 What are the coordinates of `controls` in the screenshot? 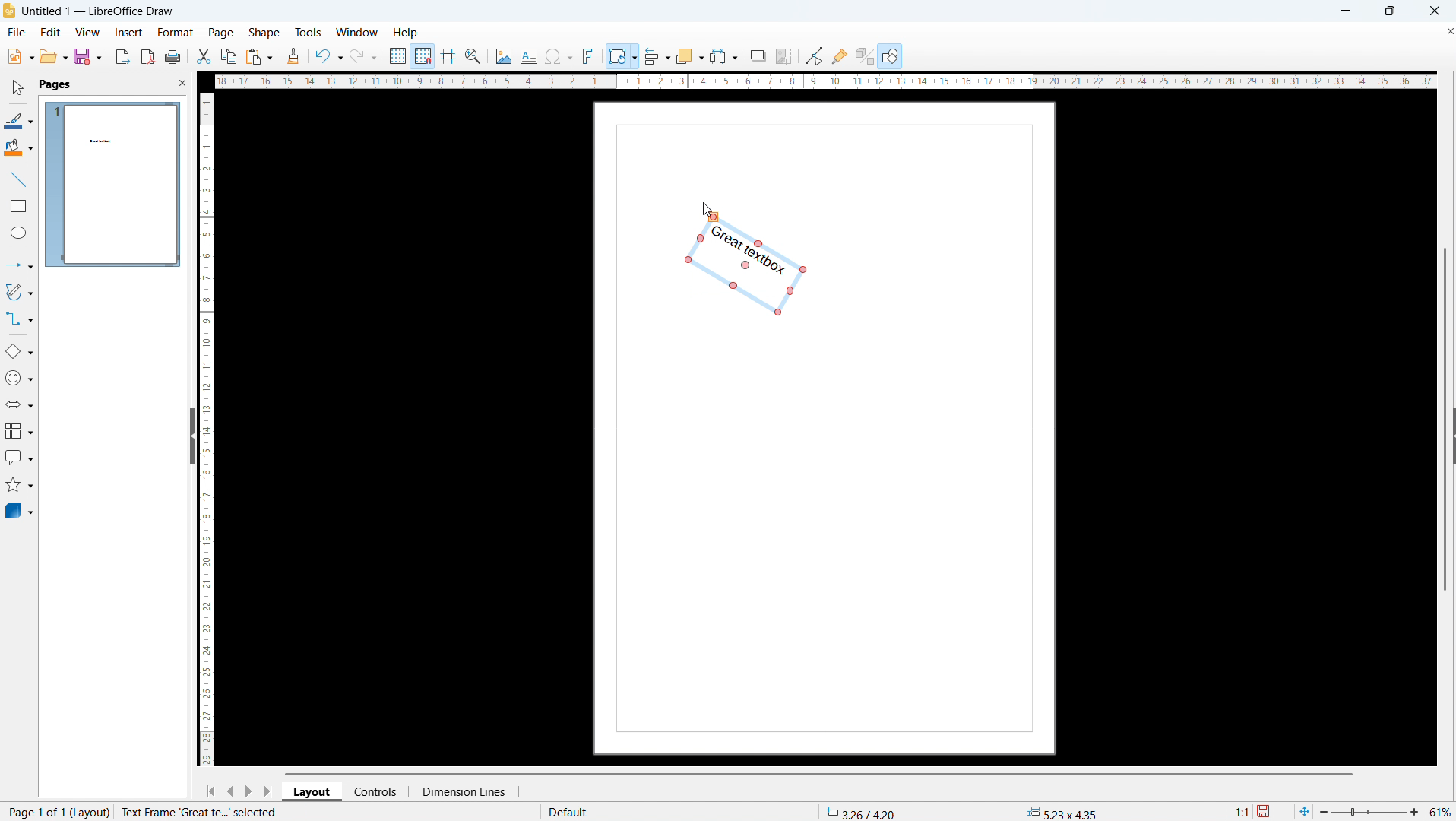 It's located at (378, 791).